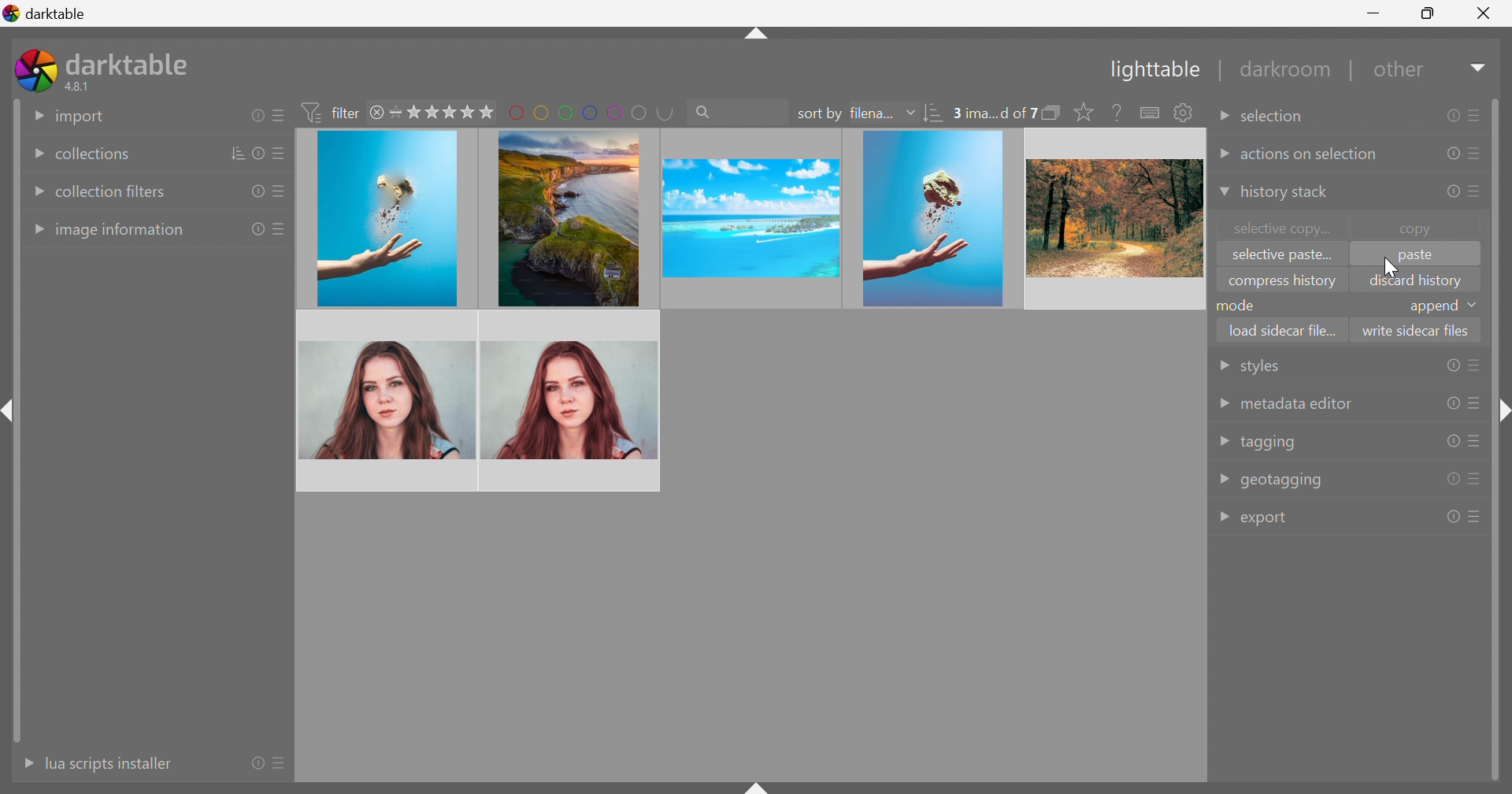  What do you see at coordinates (1222, 120) in the screenshot?
I see `Drop Down` at bounding box center [1222, 120].